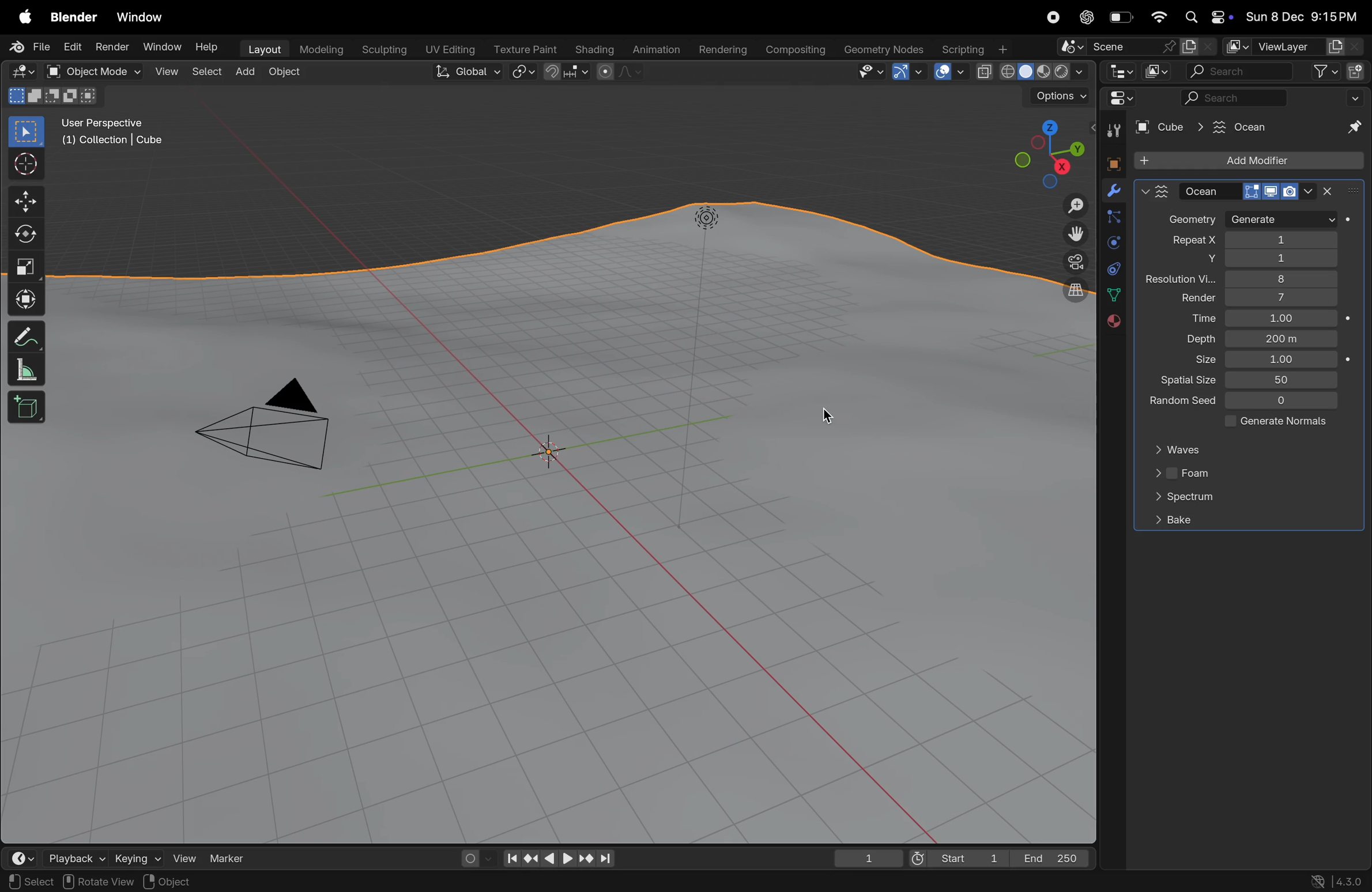  What do you see at coordinates (1283, 260) in the screenshot?
I see `1` at bounding box center [1283, 260].